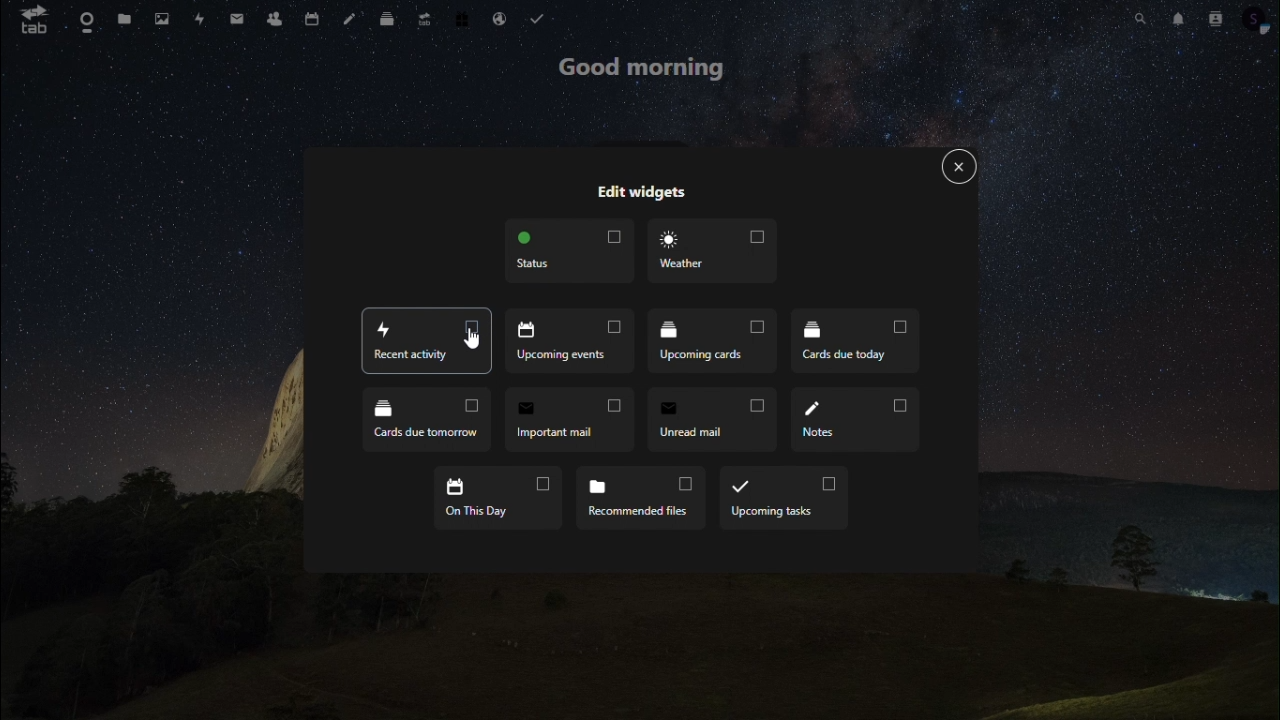 The height and width of the screenshot is (720, 1280). What do you see at coordinates (643, 192) in the screenshot?
I see `` at bounding box center [643, 192].